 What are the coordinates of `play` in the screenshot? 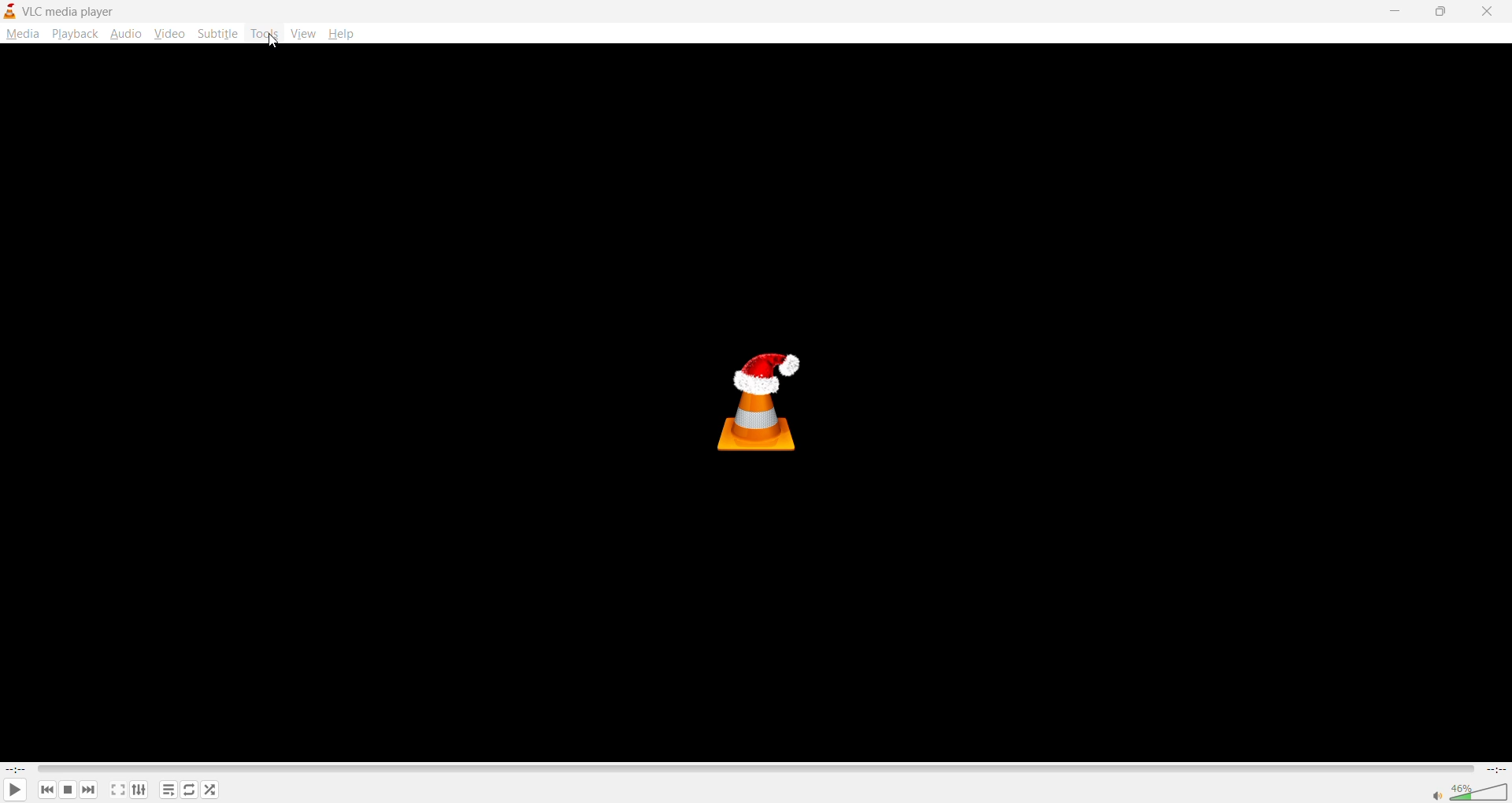 It's located at (13, 789).